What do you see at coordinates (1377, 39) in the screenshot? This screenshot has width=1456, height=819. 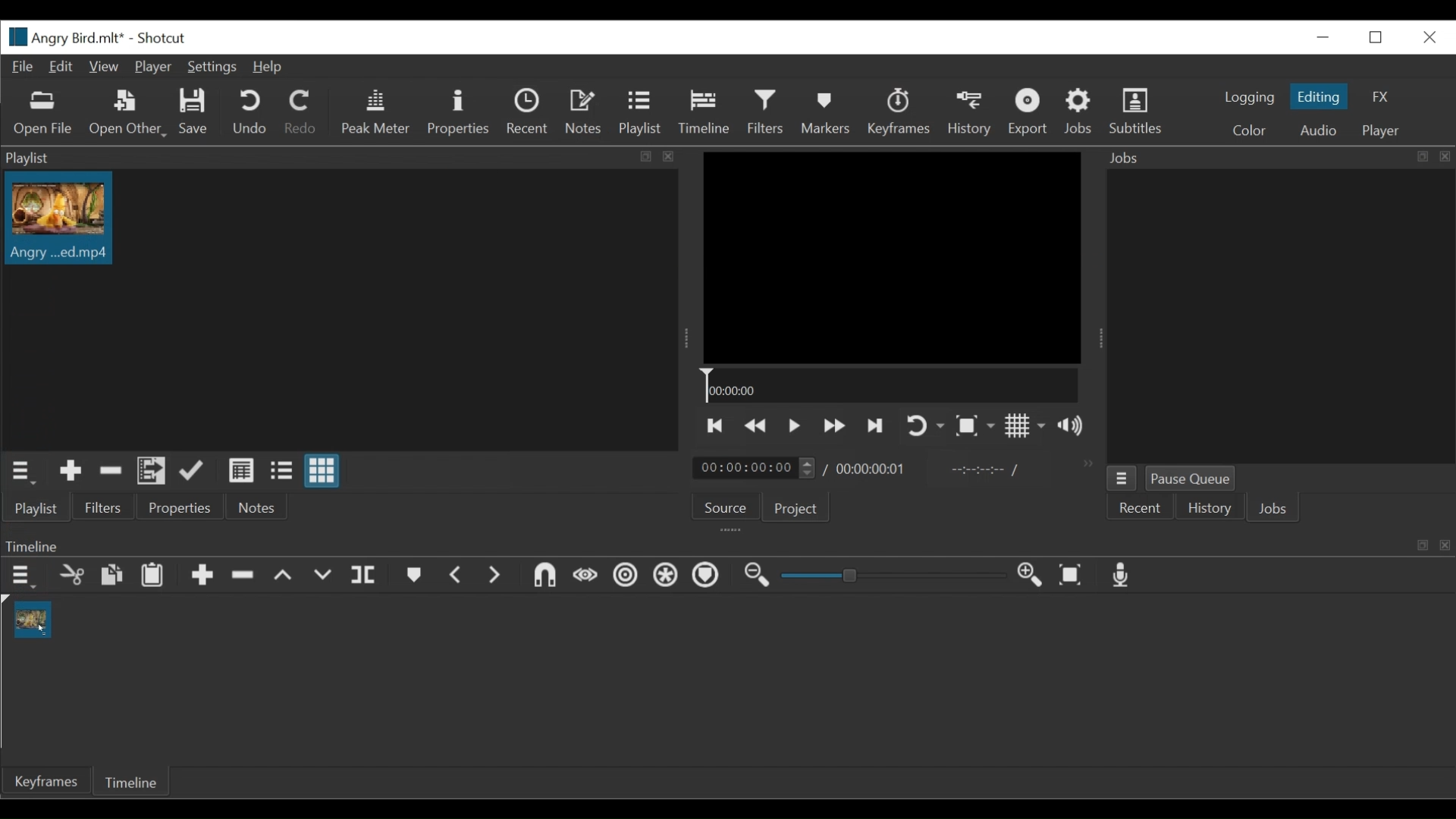 I see `Restore` at bounding box center [1377, 39].